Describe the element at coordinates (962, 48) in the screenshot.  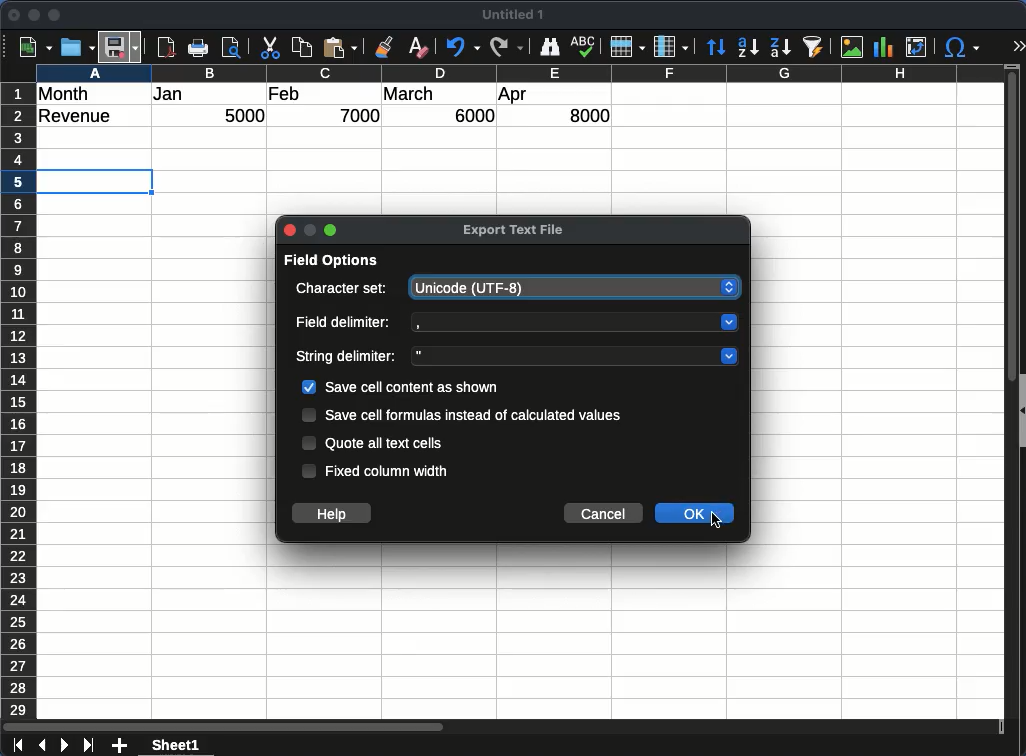
I see `special characters` at that location.